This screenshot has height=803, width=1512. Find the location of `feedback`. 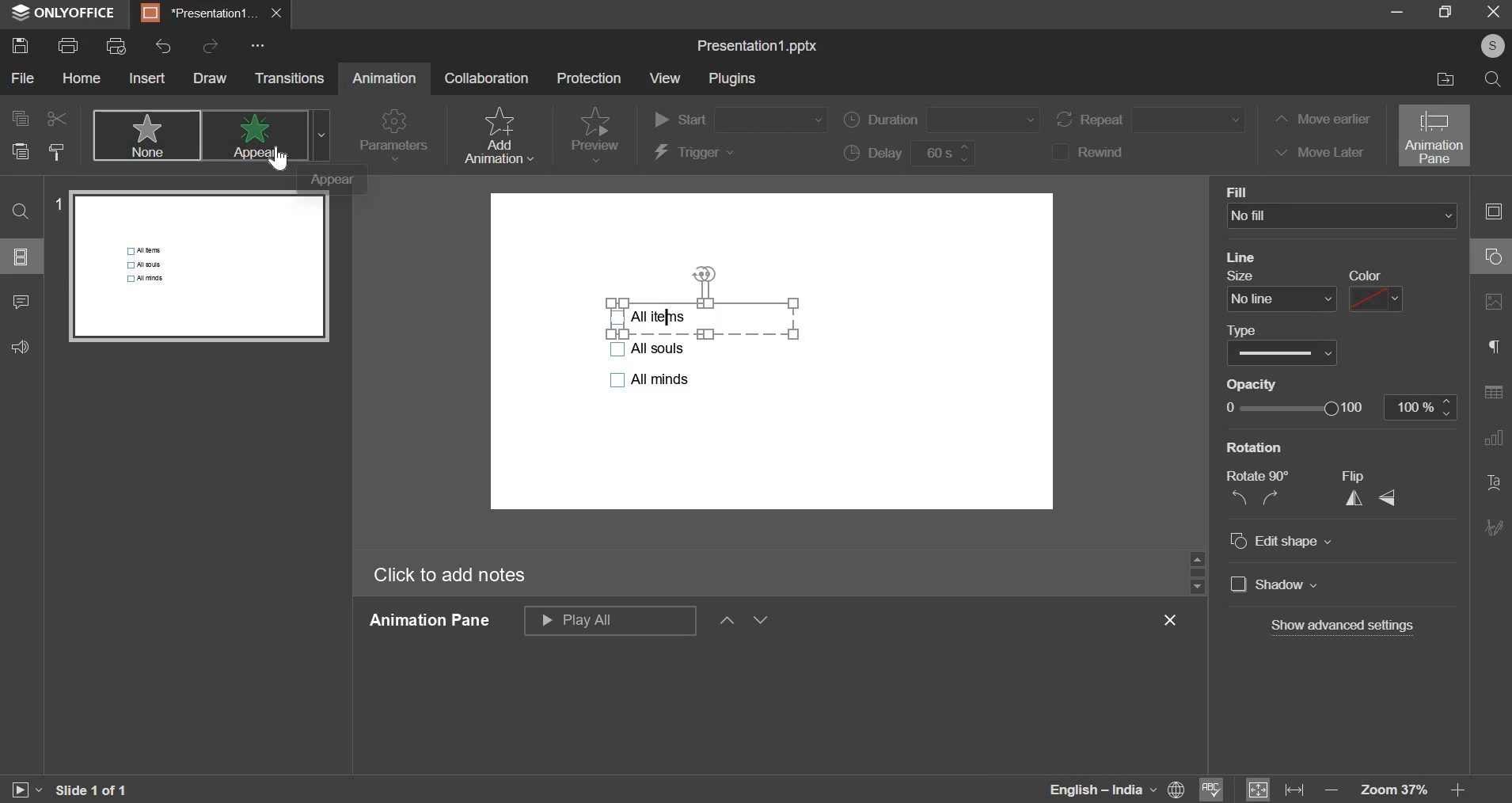

feedback is located at coordinates (28, 346).